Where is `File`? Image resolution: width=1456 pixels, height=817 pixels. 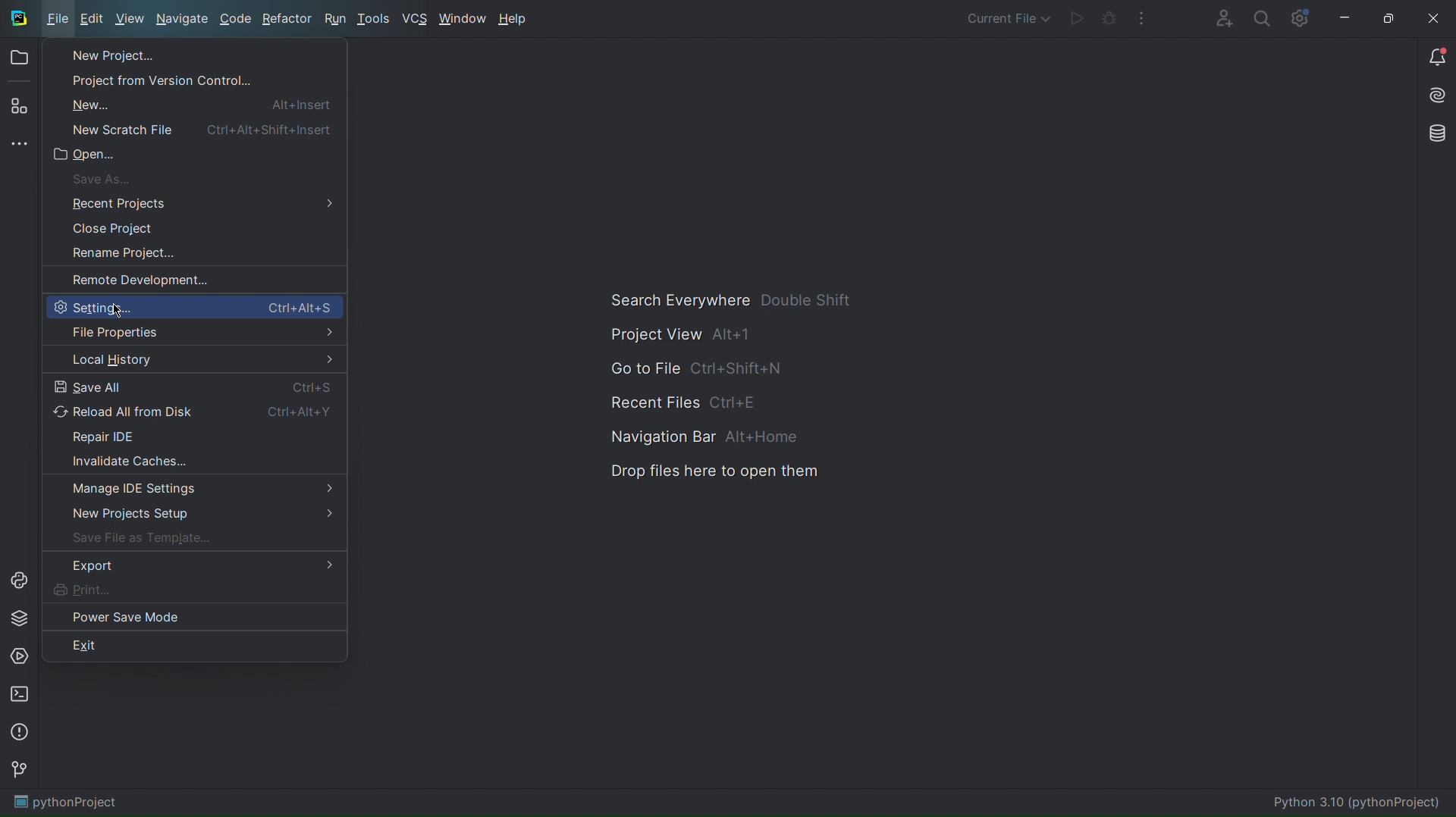 File is located at coordinates (56, 20).